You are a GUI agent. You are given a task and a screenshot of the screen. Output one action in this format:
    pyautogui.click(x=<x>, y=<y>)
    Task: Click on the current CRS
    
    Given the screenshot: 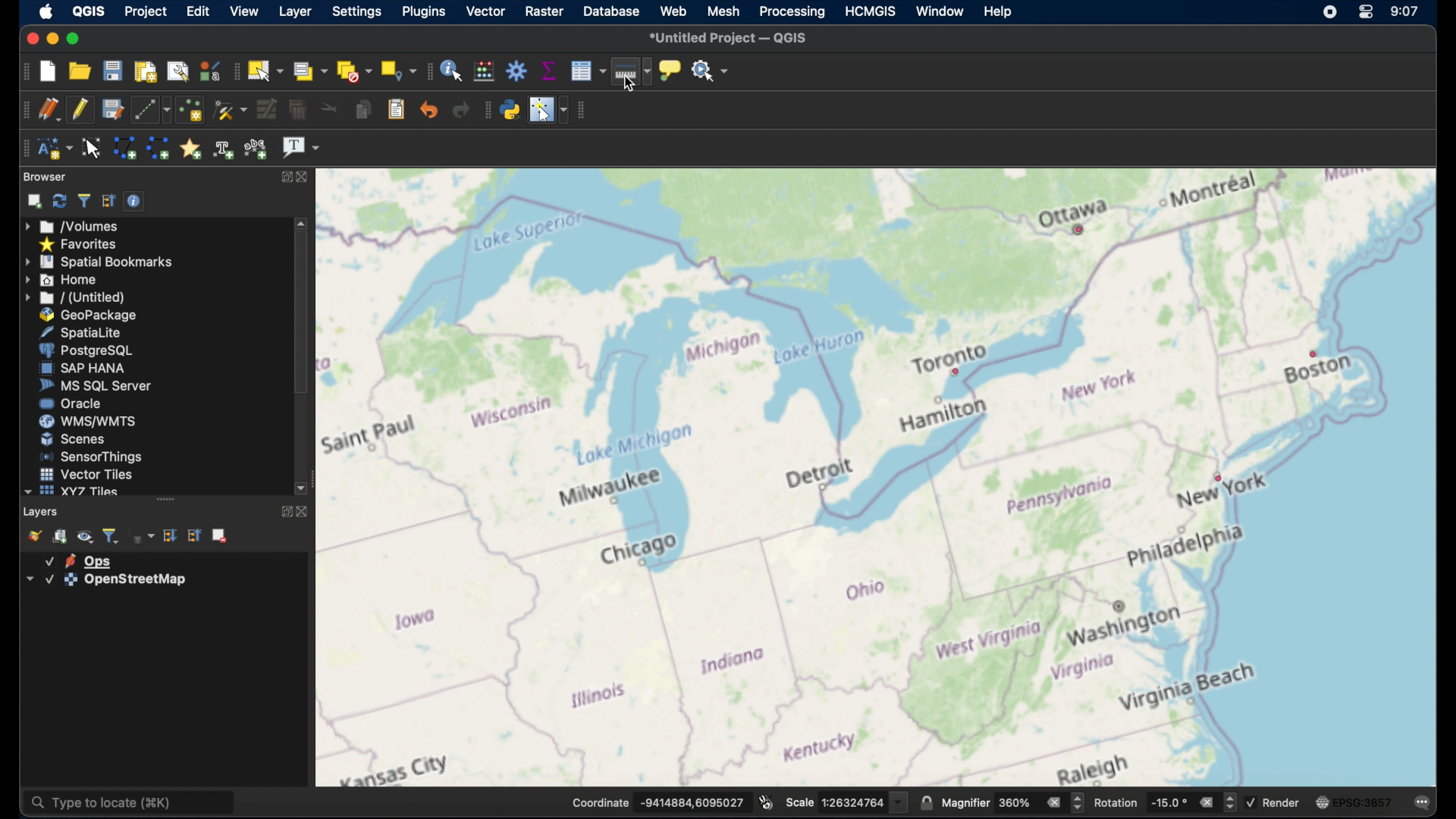 What is the action you would take?
    pyautogui.click(x=1354, y=800)
    